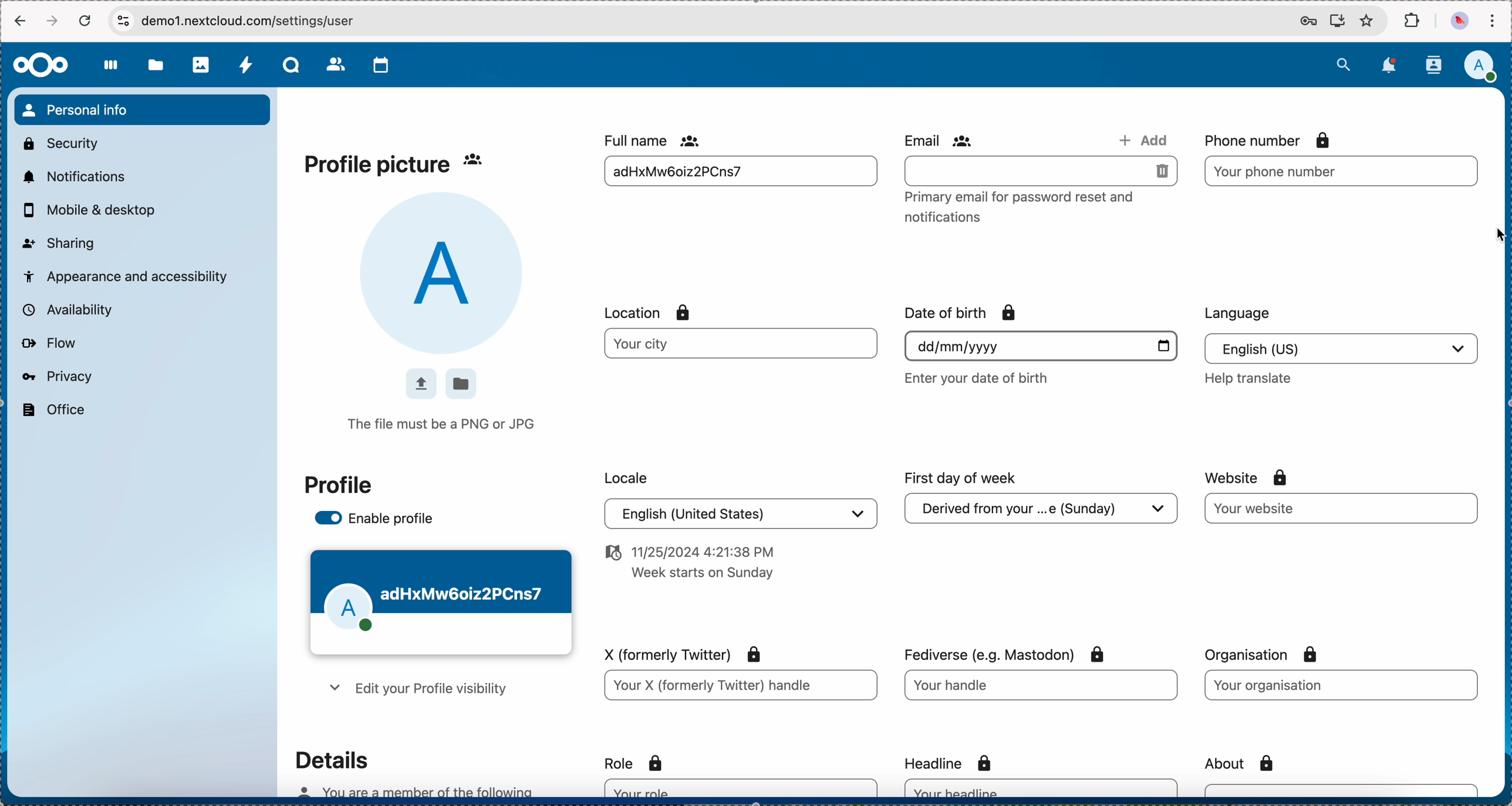 Image resolution: width=1512 pixels, height=806 pixels. I want to click on mobile and desktop, so click(95, 211).